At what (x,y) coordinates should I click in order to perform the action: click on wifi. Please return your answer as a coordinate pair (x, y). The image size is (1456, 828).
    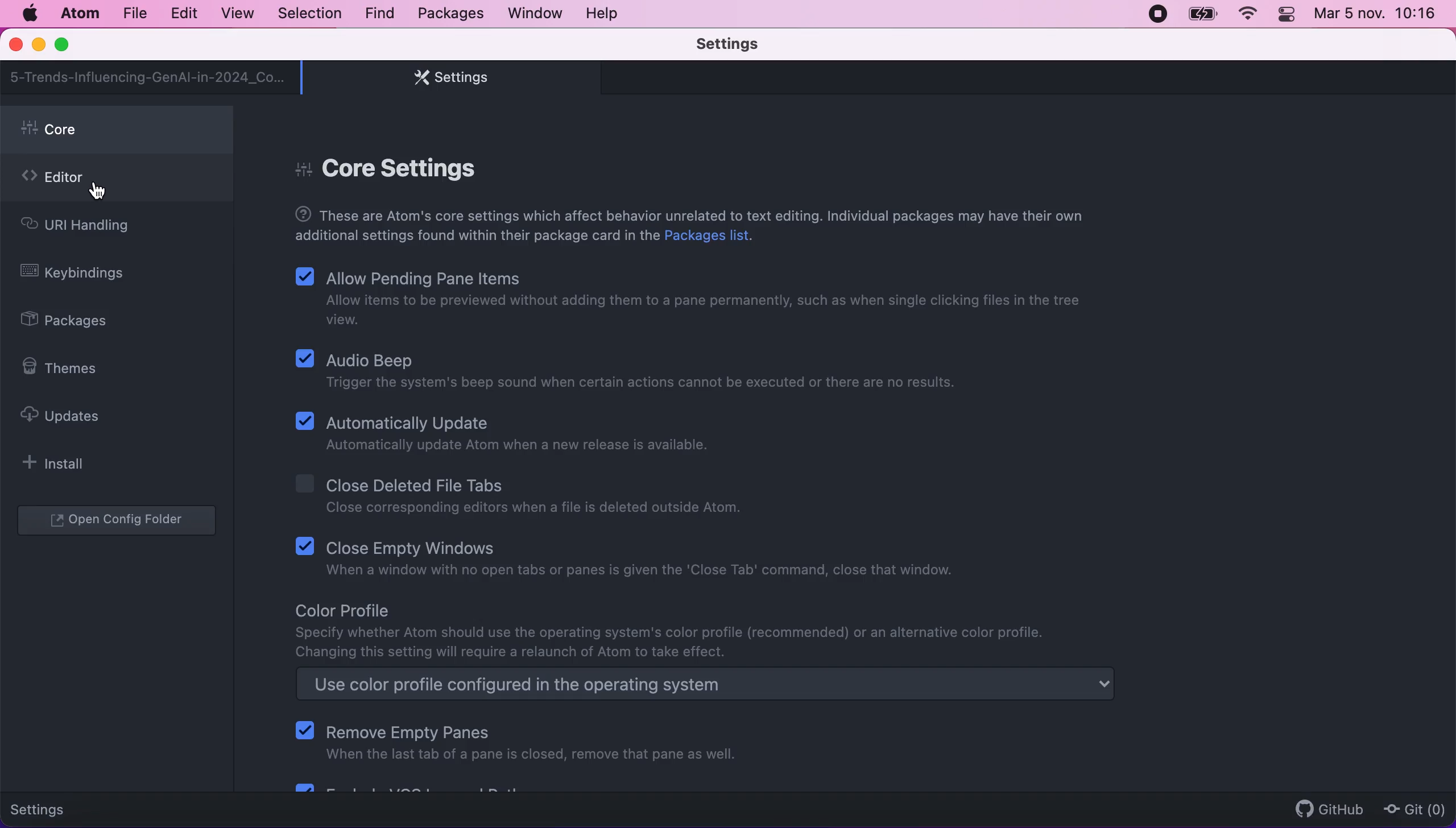
    Looking at the image, I should click on (1246, 14).